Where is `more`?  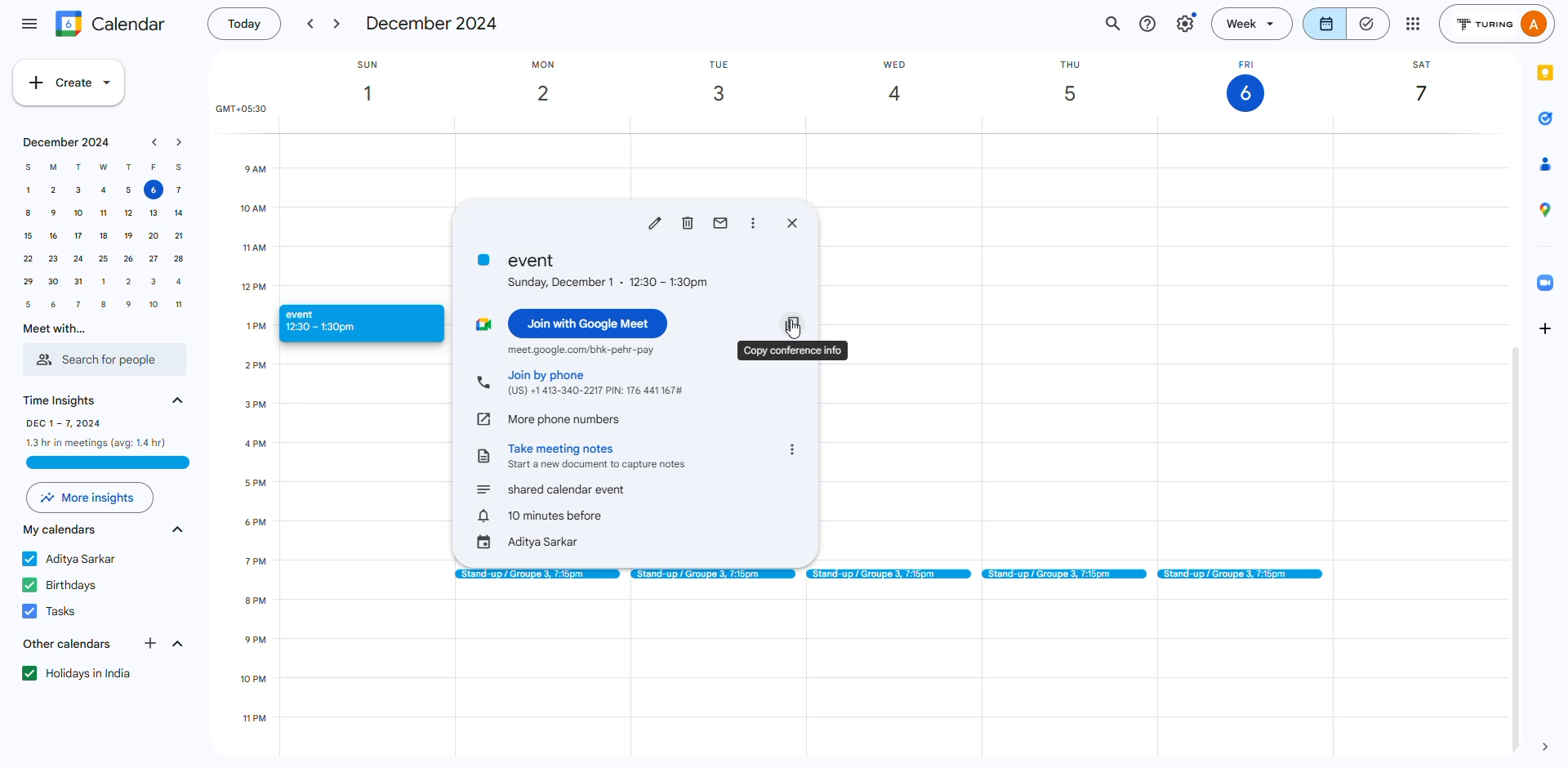
more is located at coordinates (1412, 23).